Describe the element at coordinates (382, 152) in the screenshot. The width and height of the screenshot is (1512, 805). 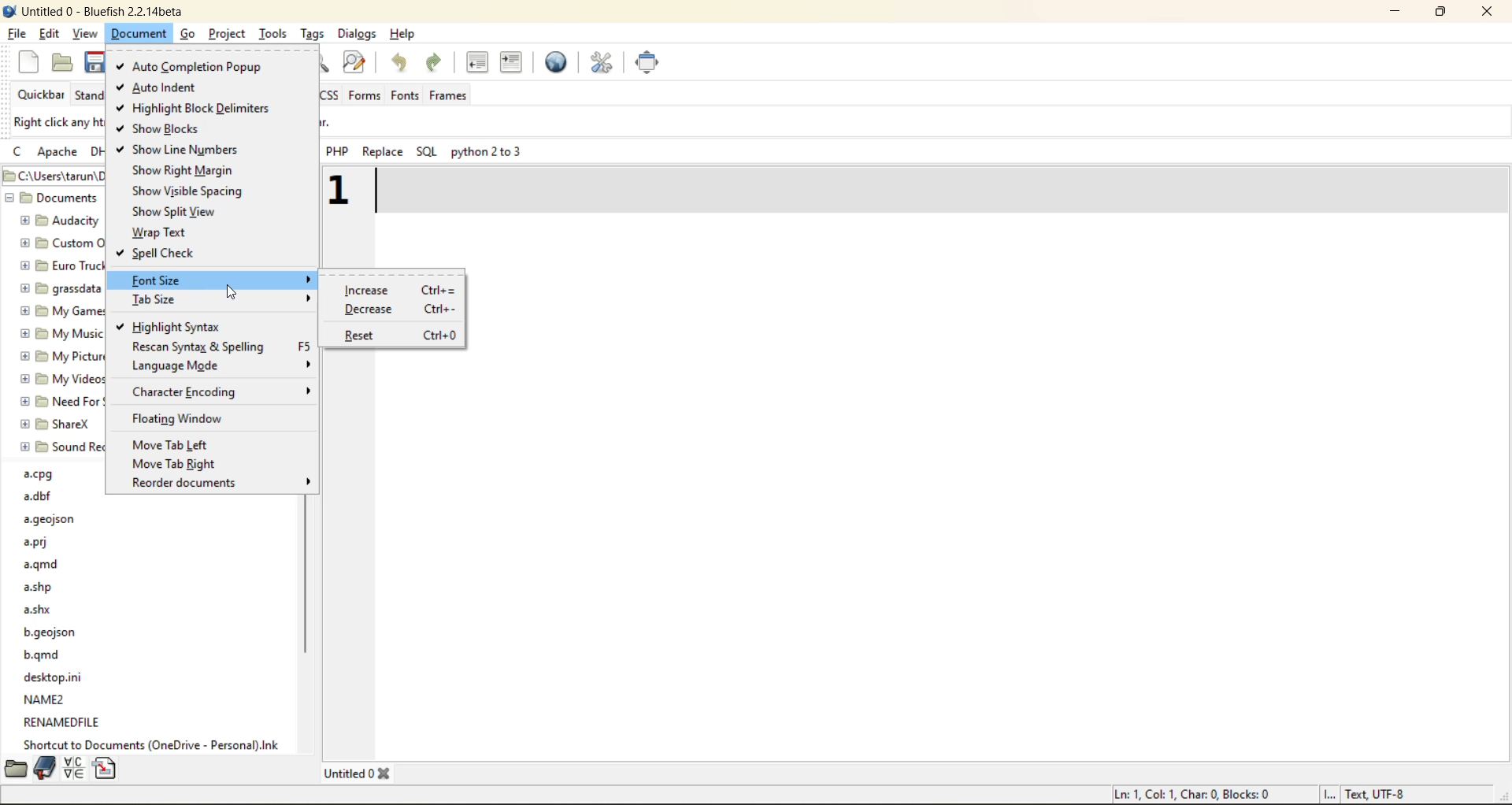
I see `replace` at that location.